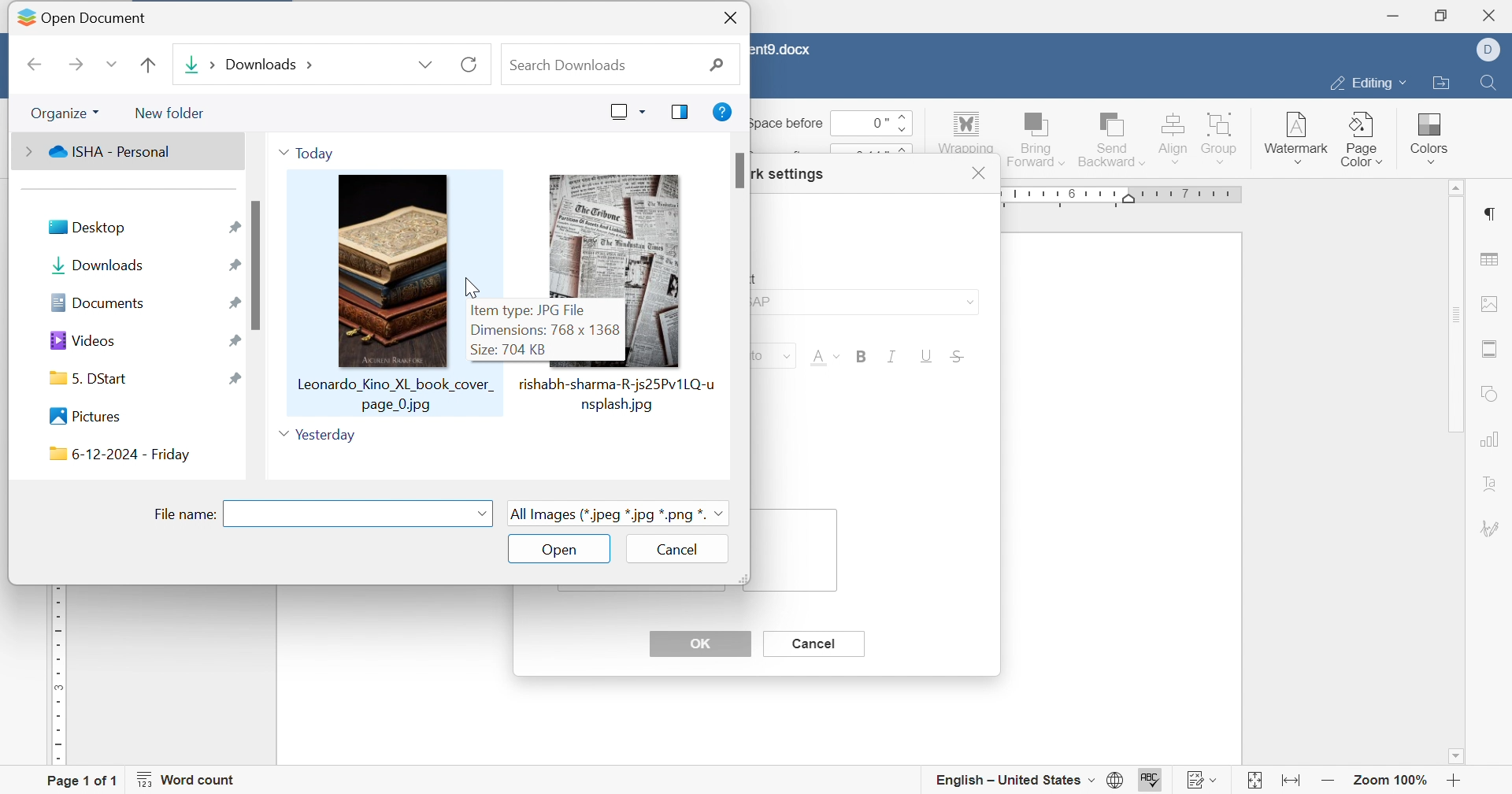 The width and height of the screenshot is (1512, 794). I want to click on signature settings, so click(1492, 529).